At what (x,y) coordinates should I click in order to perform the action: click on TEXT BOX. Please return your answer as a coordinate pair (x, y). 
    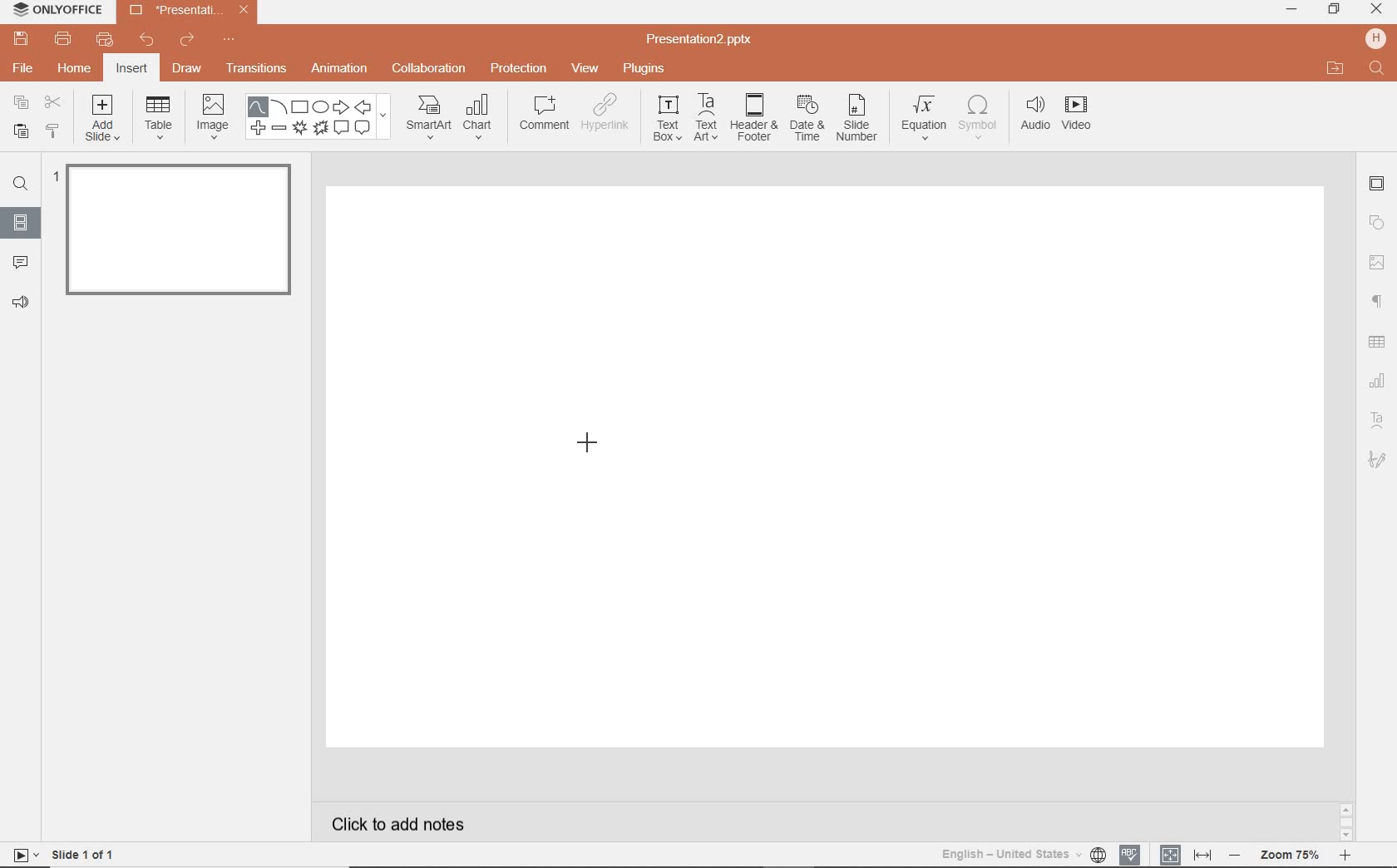
    Looking at the image, I should click on (665, 121).